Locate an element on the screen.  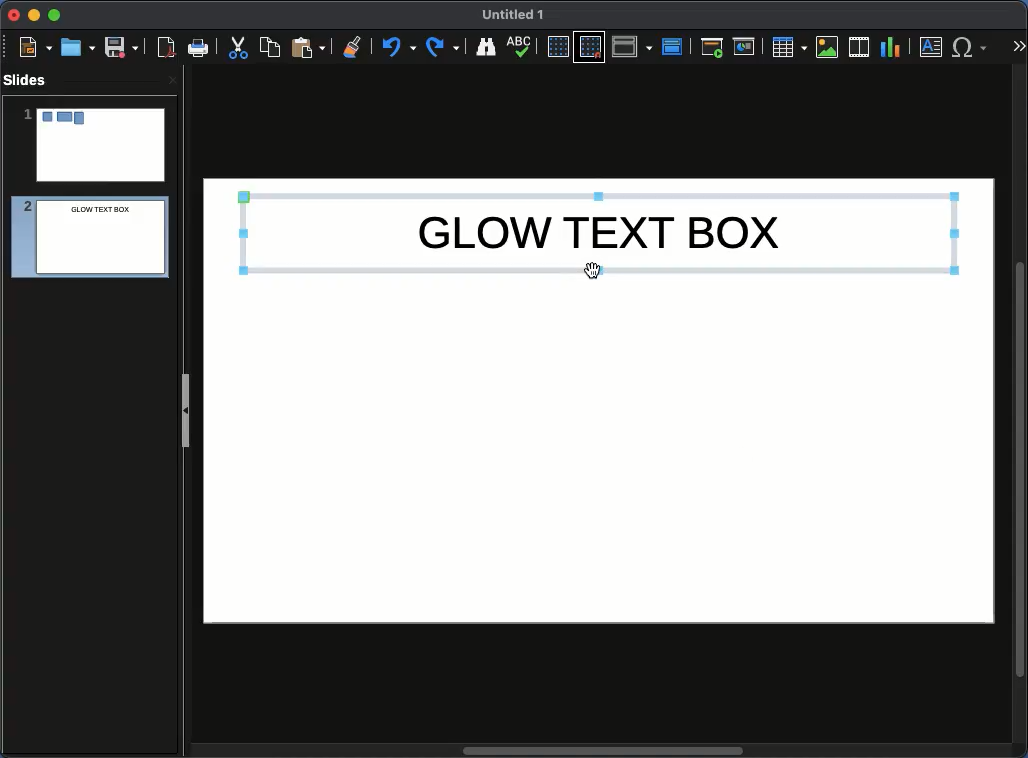
GLOW TEXT BOX is located at coordinates (598, 232).